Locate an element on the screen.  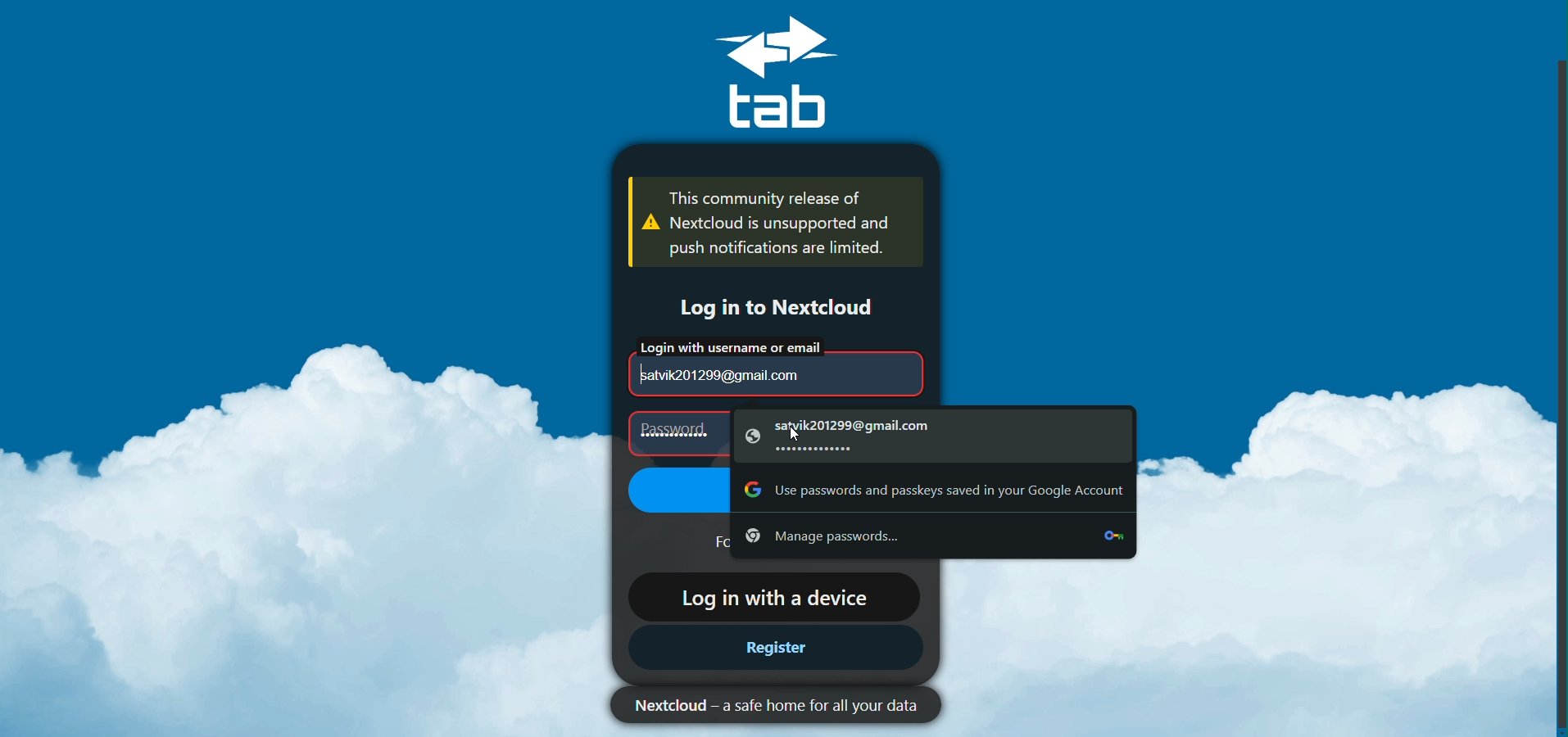
tab Logo is located at coordinates (795, 73).